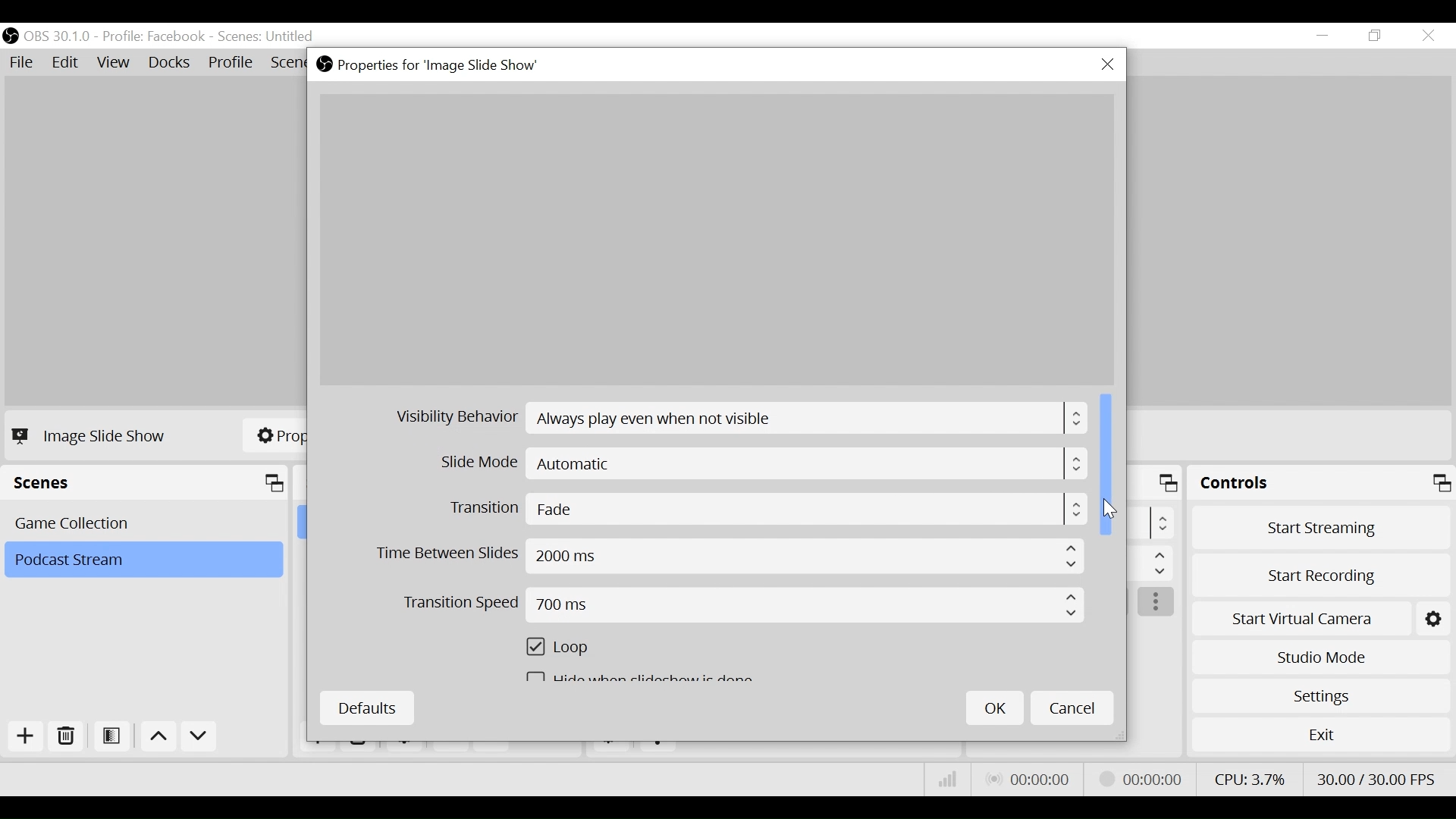 This screenshot has width=1456, height=819. Describe the element at coordinates (1376, 36) in the screenshot. I see `Restore` at that location.